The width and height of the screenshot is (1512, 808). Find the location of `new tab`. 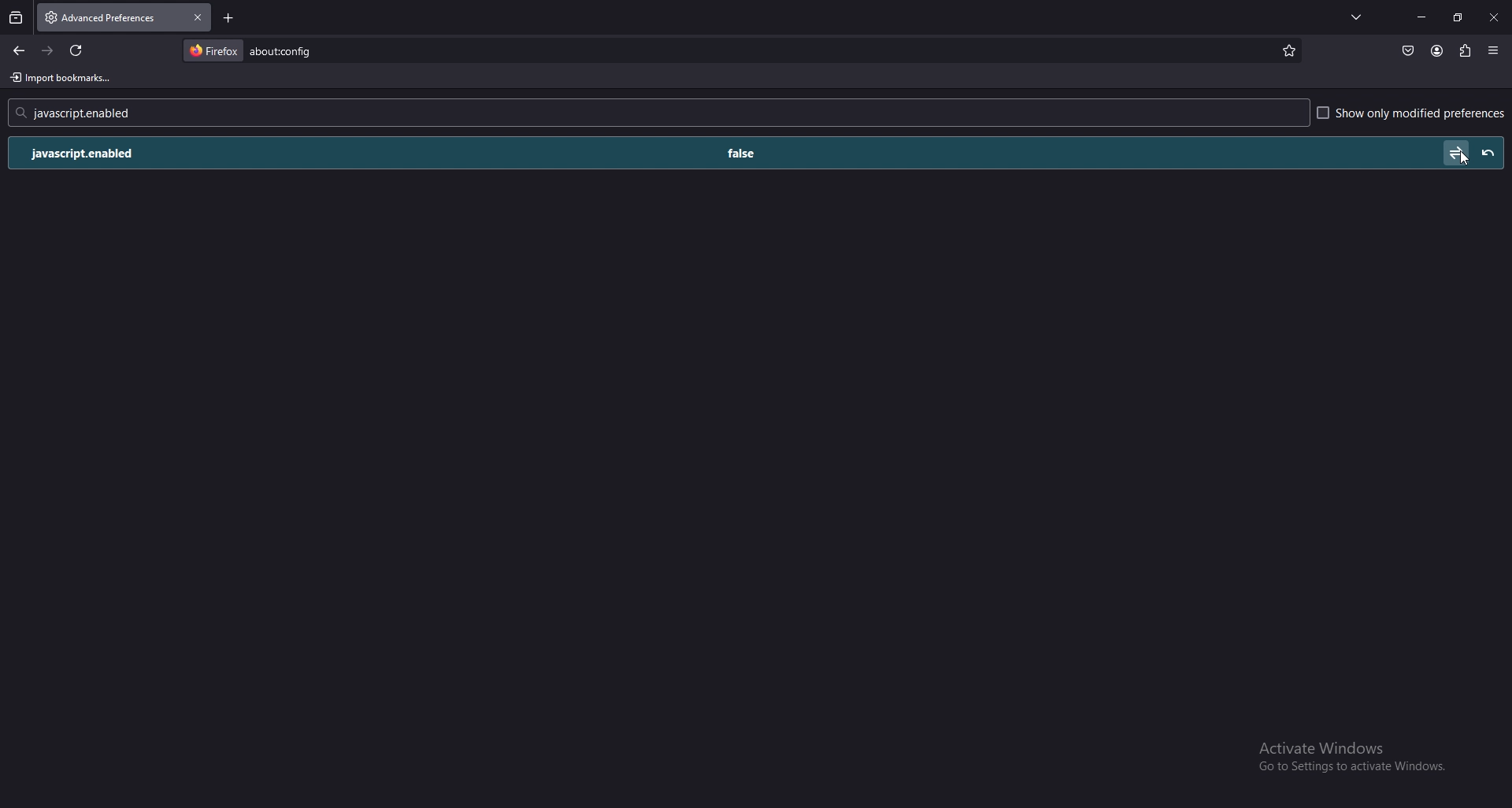

new tab is located at coordinates (231, 18).